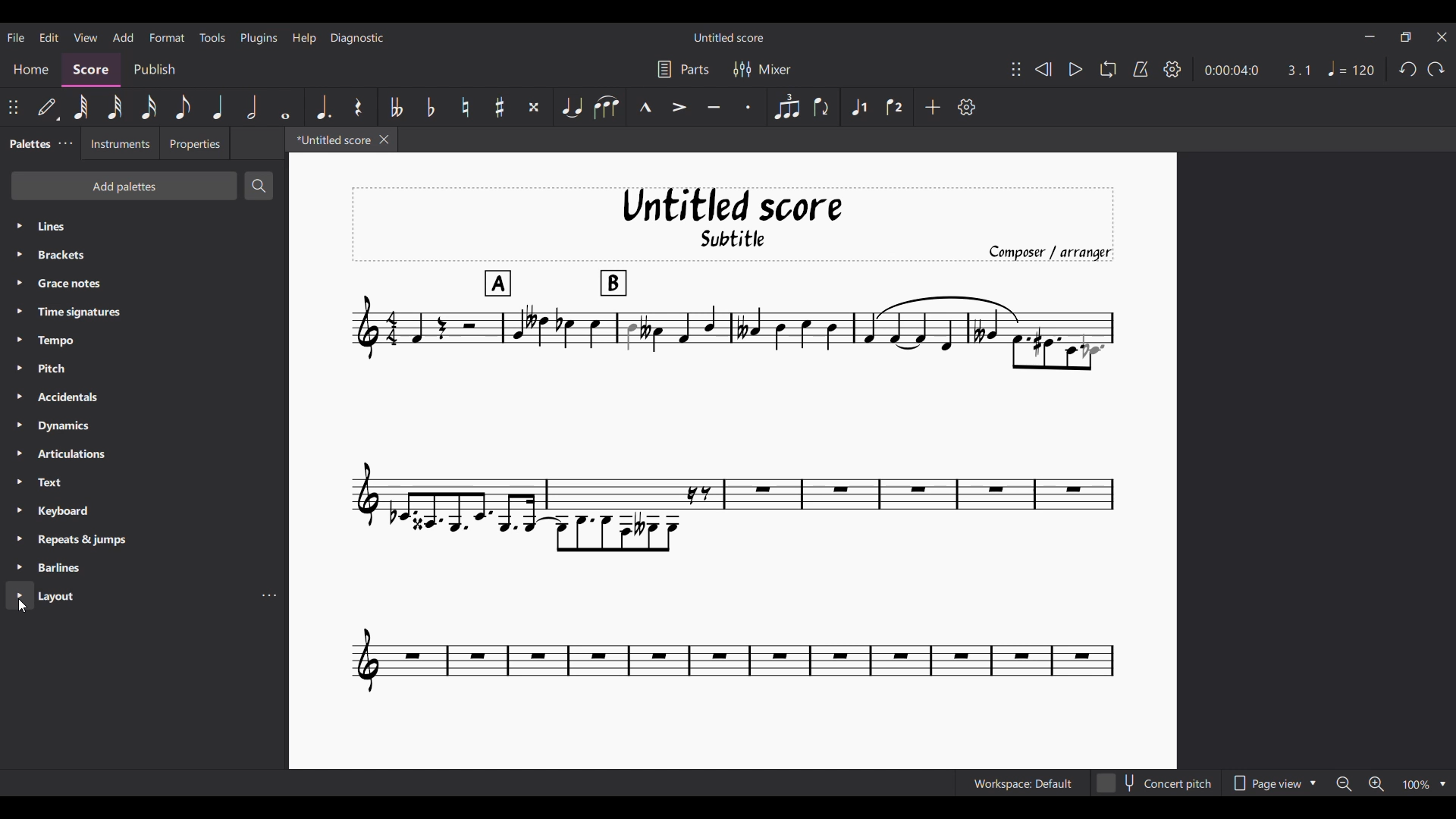 Image resolution: width=1456 pixels, height=819 pixels. Describe the element at coordinates (967, 107) in the screenshot. I see `Customize settings` at that location.